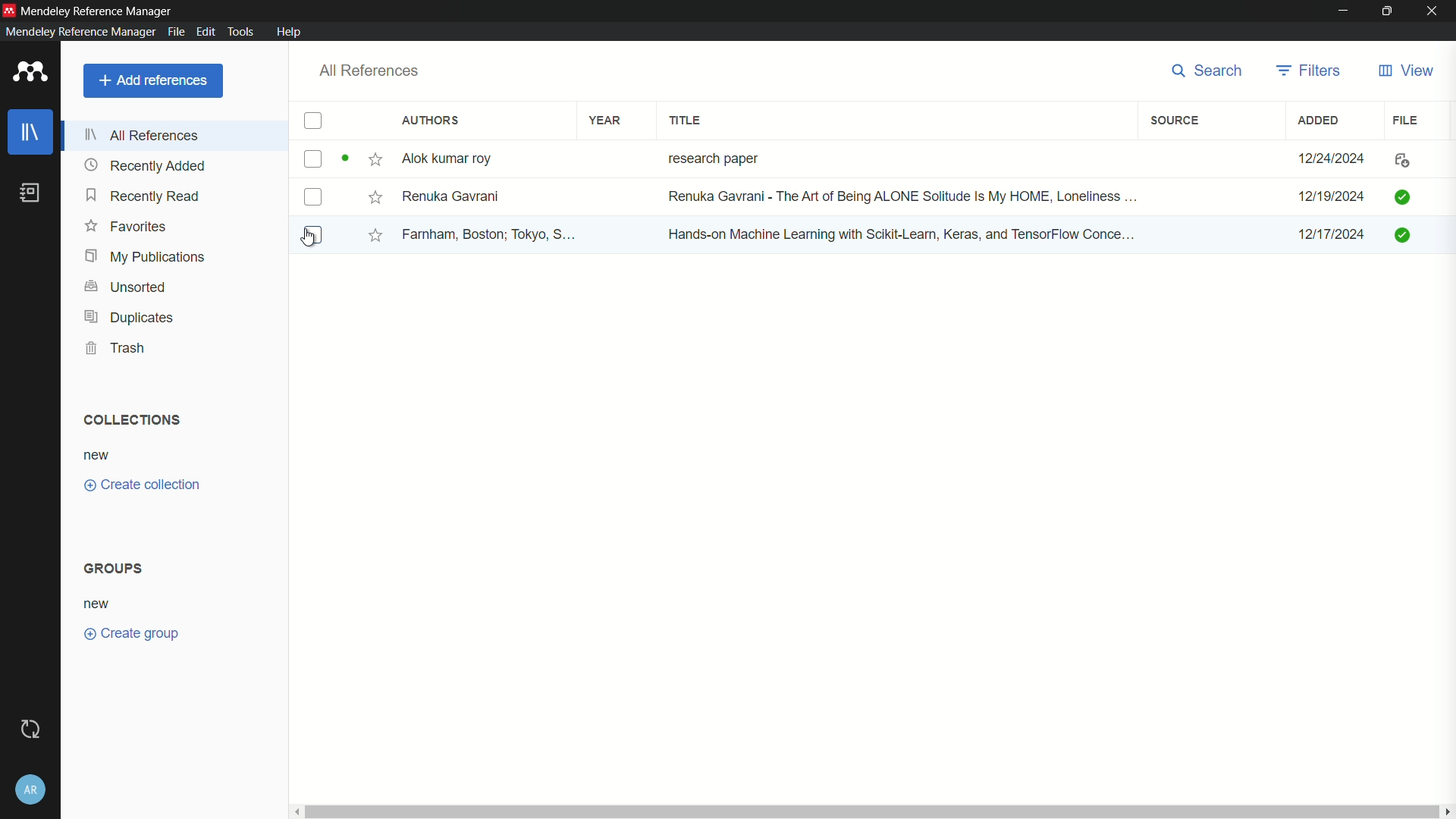 This screenshot has height=819, width=1456. I want to click on Farnham, Boston; Tokyo, S... Hands-on Machine Leaming with Scikit-Leamn, Keras, and TensorFlow Conce..., so click(785, 235).